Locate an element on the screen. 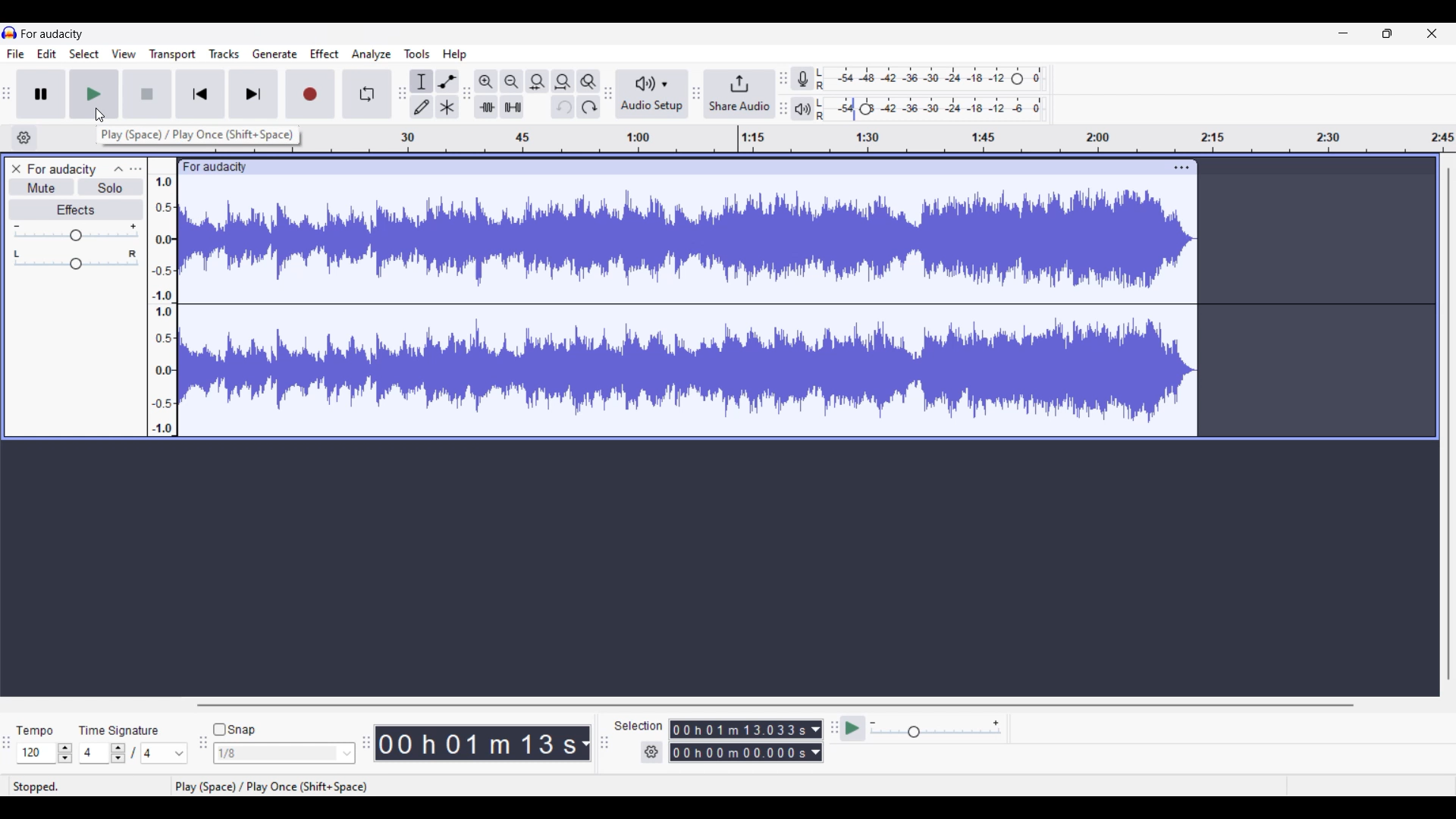  Record meter is located at coordinates (802, 79).